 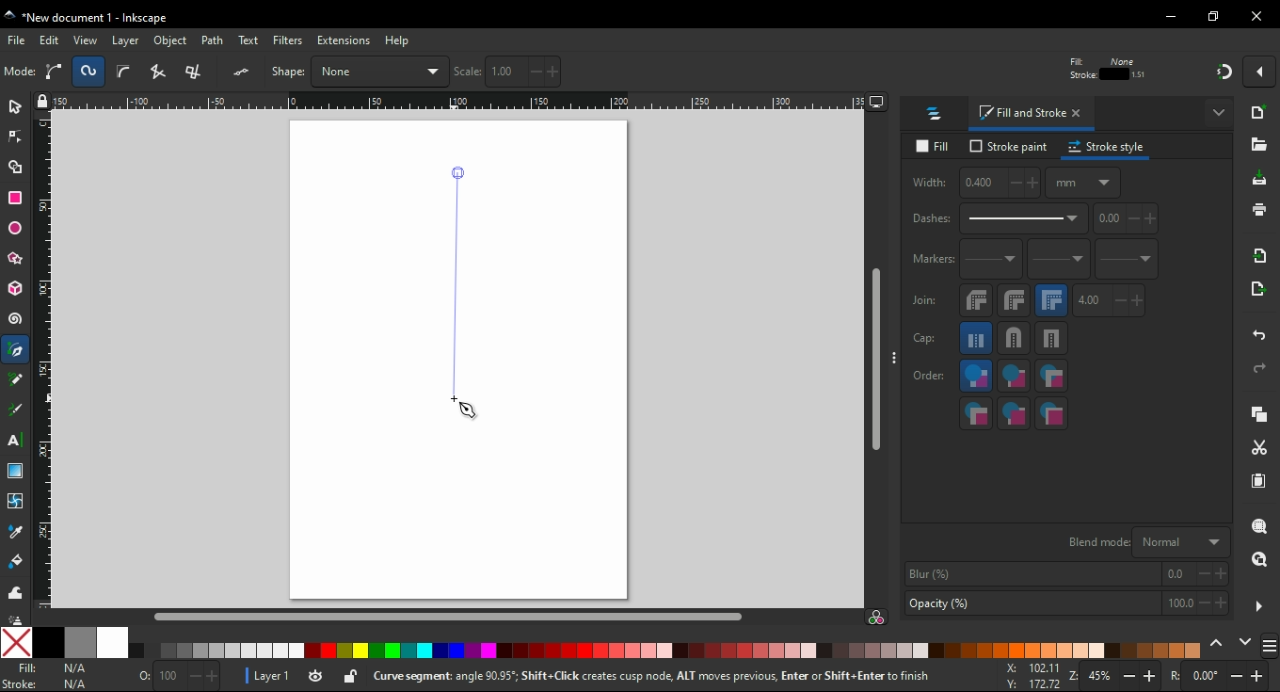 What do you see at coordinates (1261, 527) in the screenshot?
I see `zoom selection` at bounding box center [1261, 527].